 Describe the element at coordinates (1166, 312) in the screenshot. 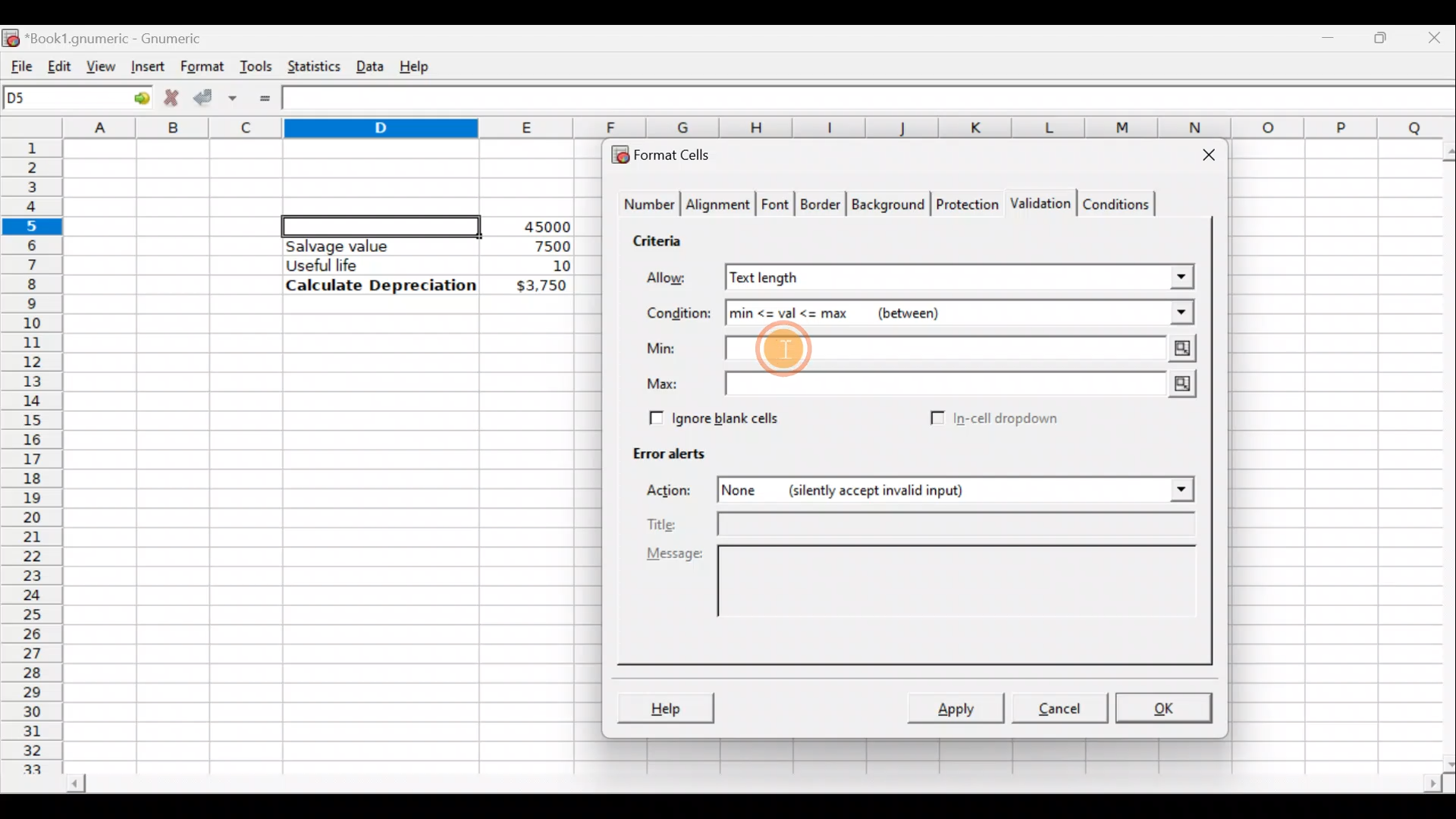

I see `Conditions drop down` at that location.